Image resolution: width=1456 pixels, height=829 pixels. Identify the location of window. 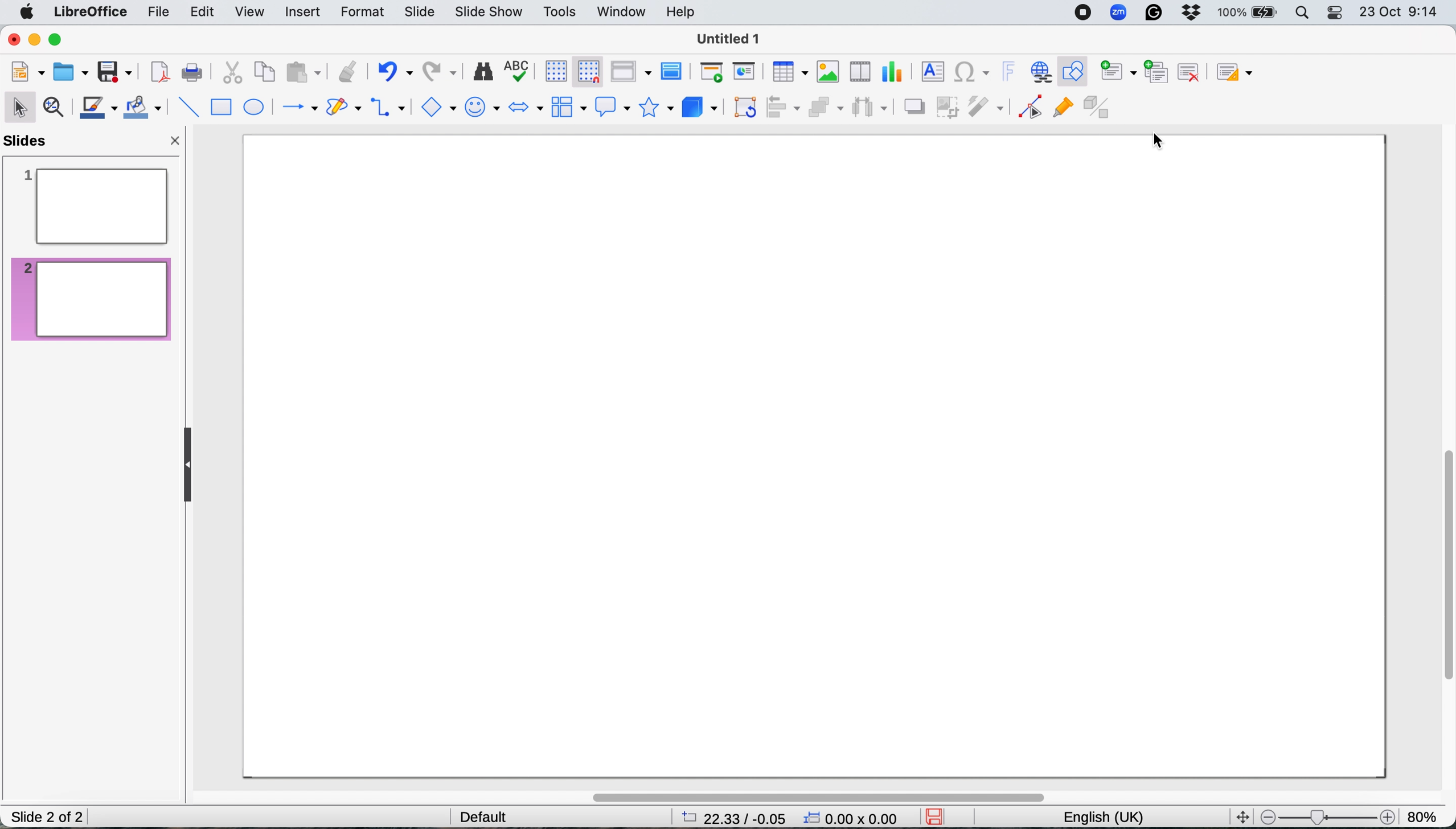
(622, 10).